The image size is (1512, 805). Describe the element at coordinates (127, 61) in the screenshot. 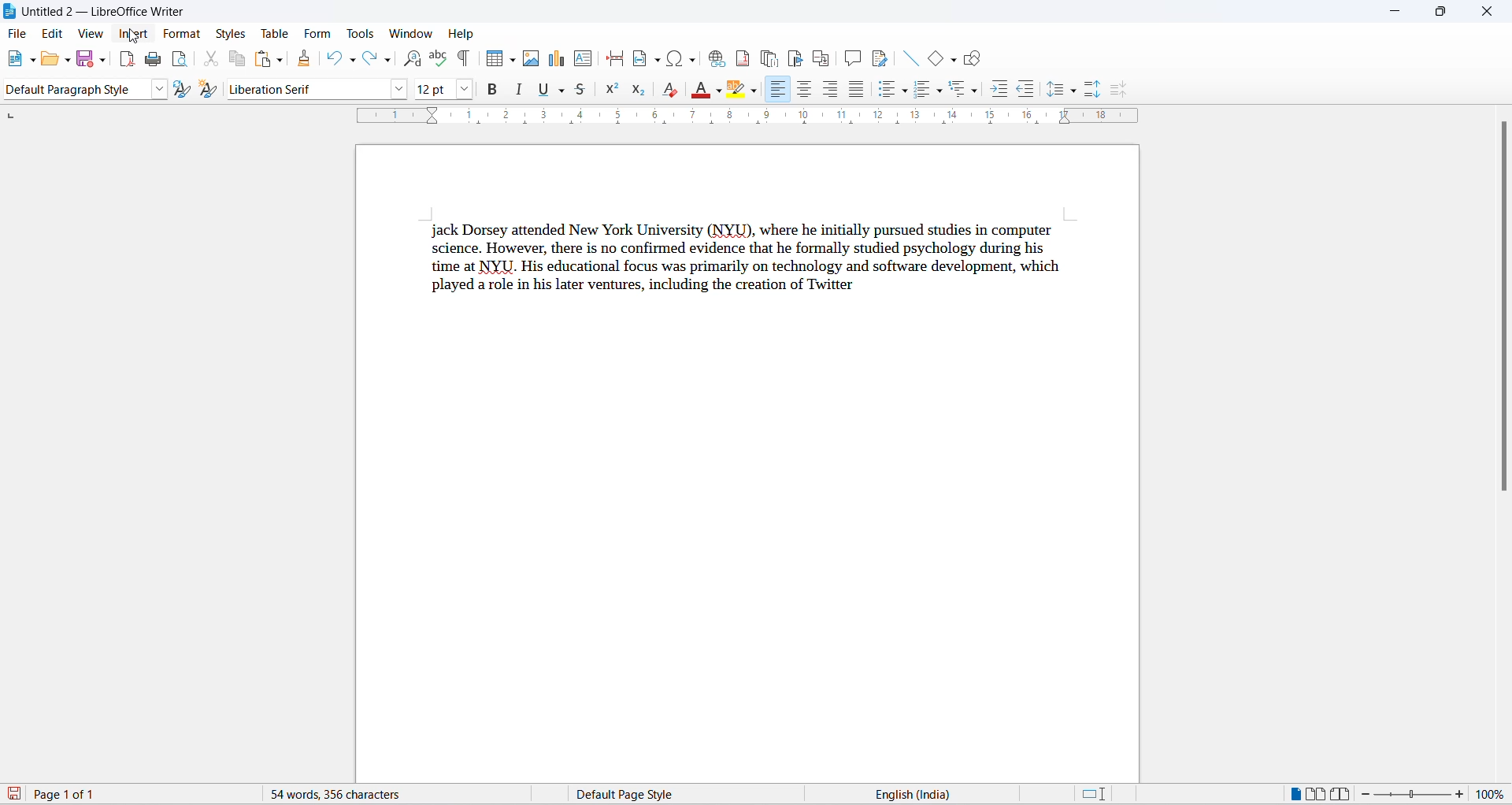

I see `export as pdf` at that location.